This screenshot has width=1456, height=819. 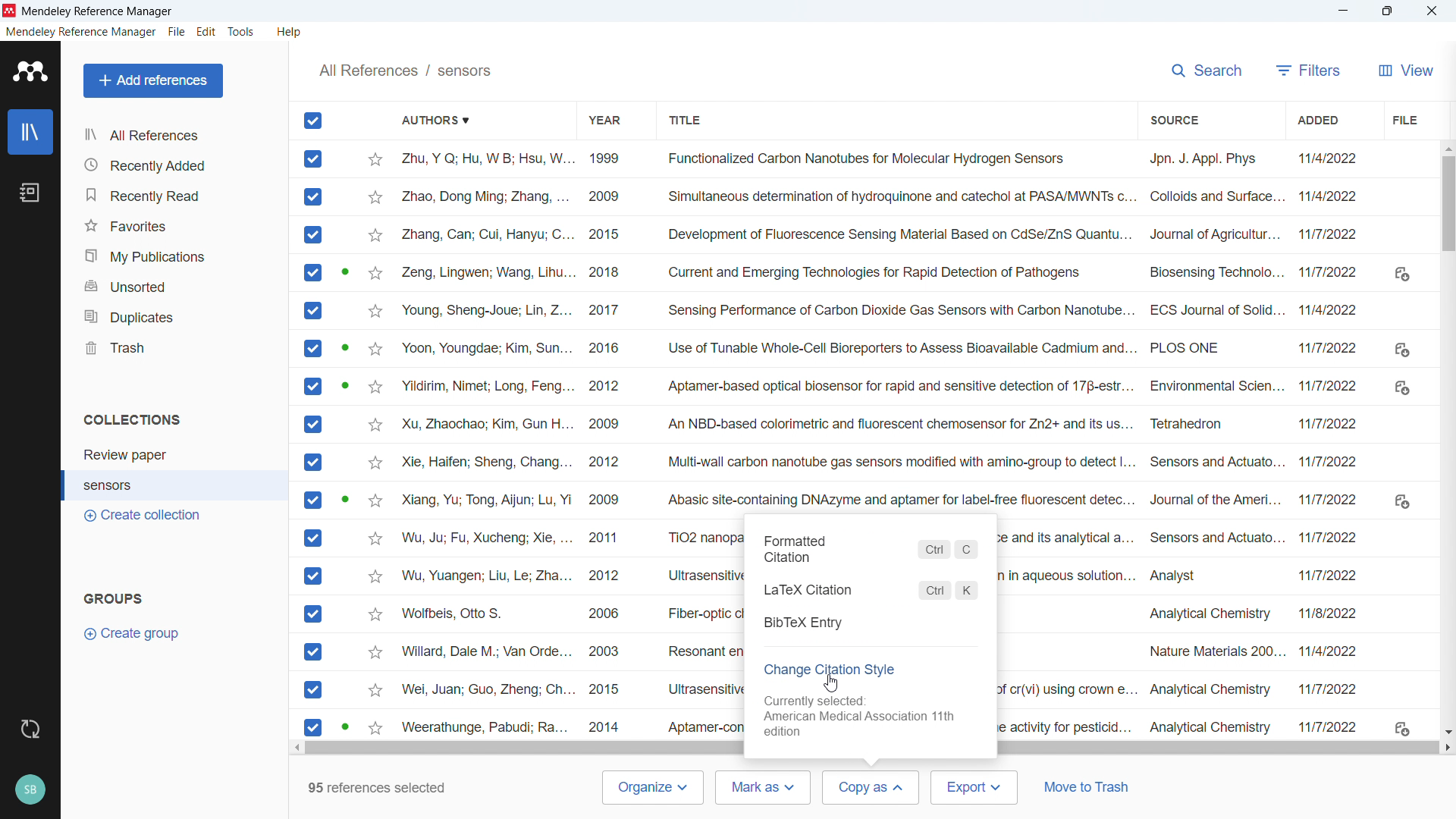 I want to click on library, so click(x=31, y=131).